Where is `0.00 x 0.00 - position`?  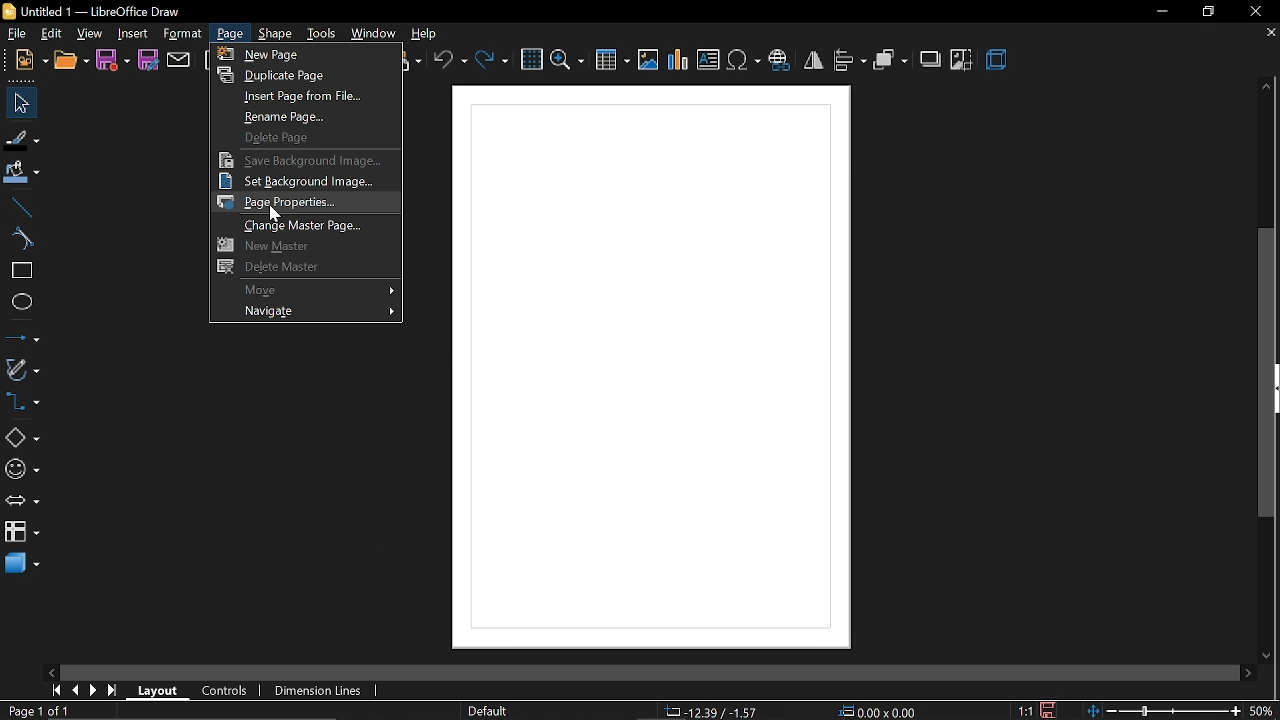 0.00 x 0.00 - position is located at coordinates (879, 710).